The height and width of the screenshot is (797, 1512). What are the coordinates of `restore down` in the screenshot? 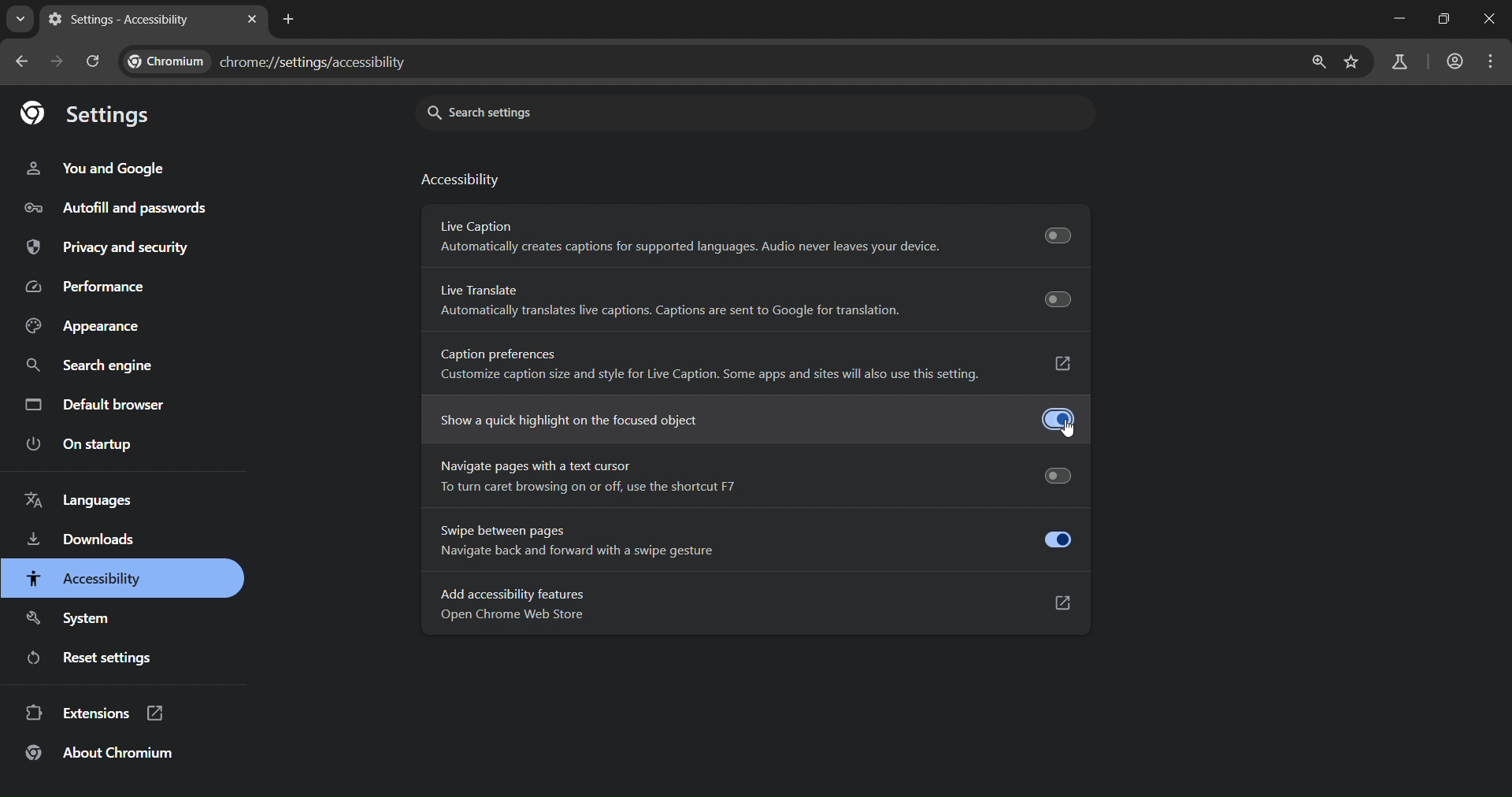 It's located at (1442, 18).